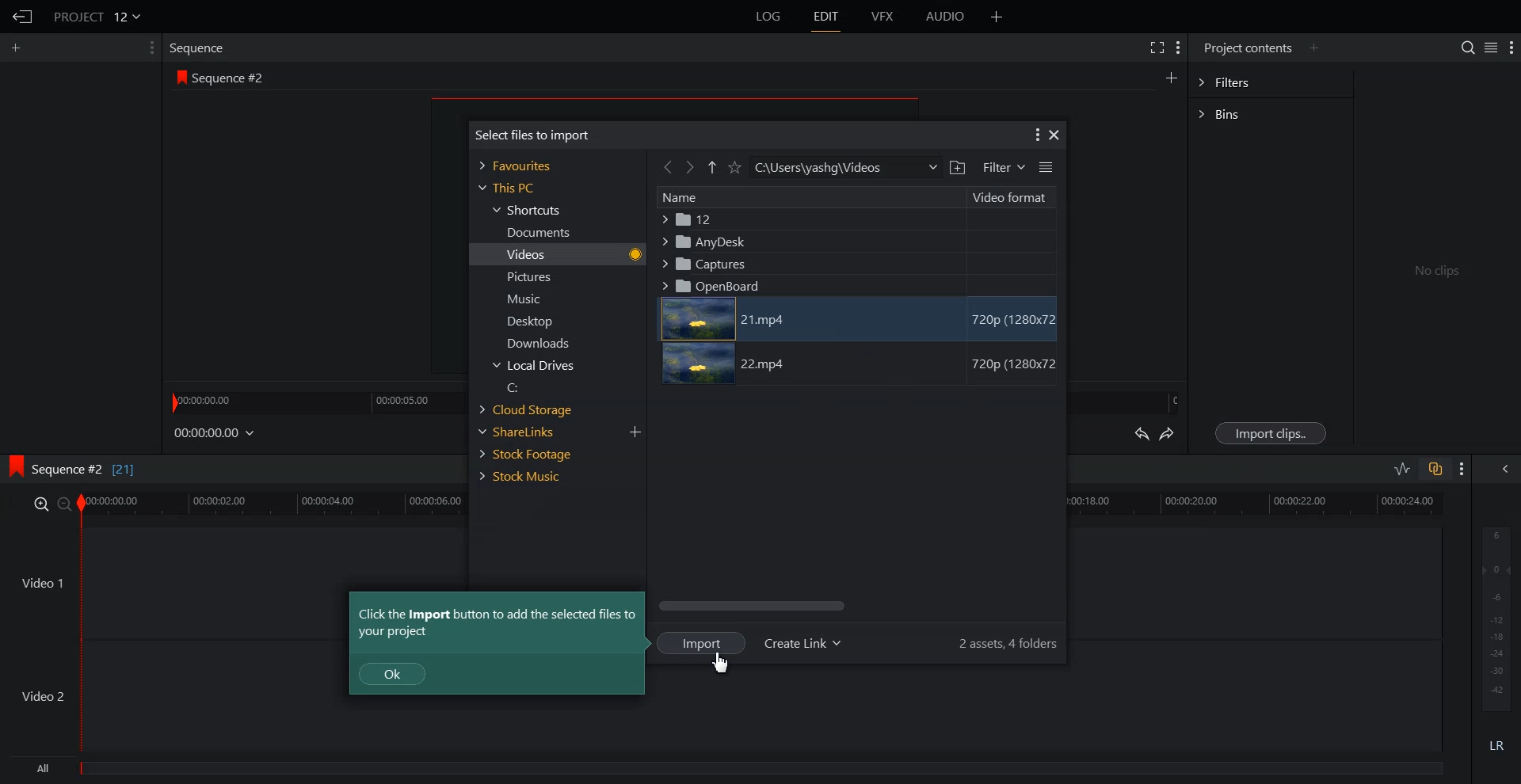 The width and height of the screenshot is (1521, 784). Describe the element at coordinates (1497, 745) in the screenshot. I see `LR` at that location.